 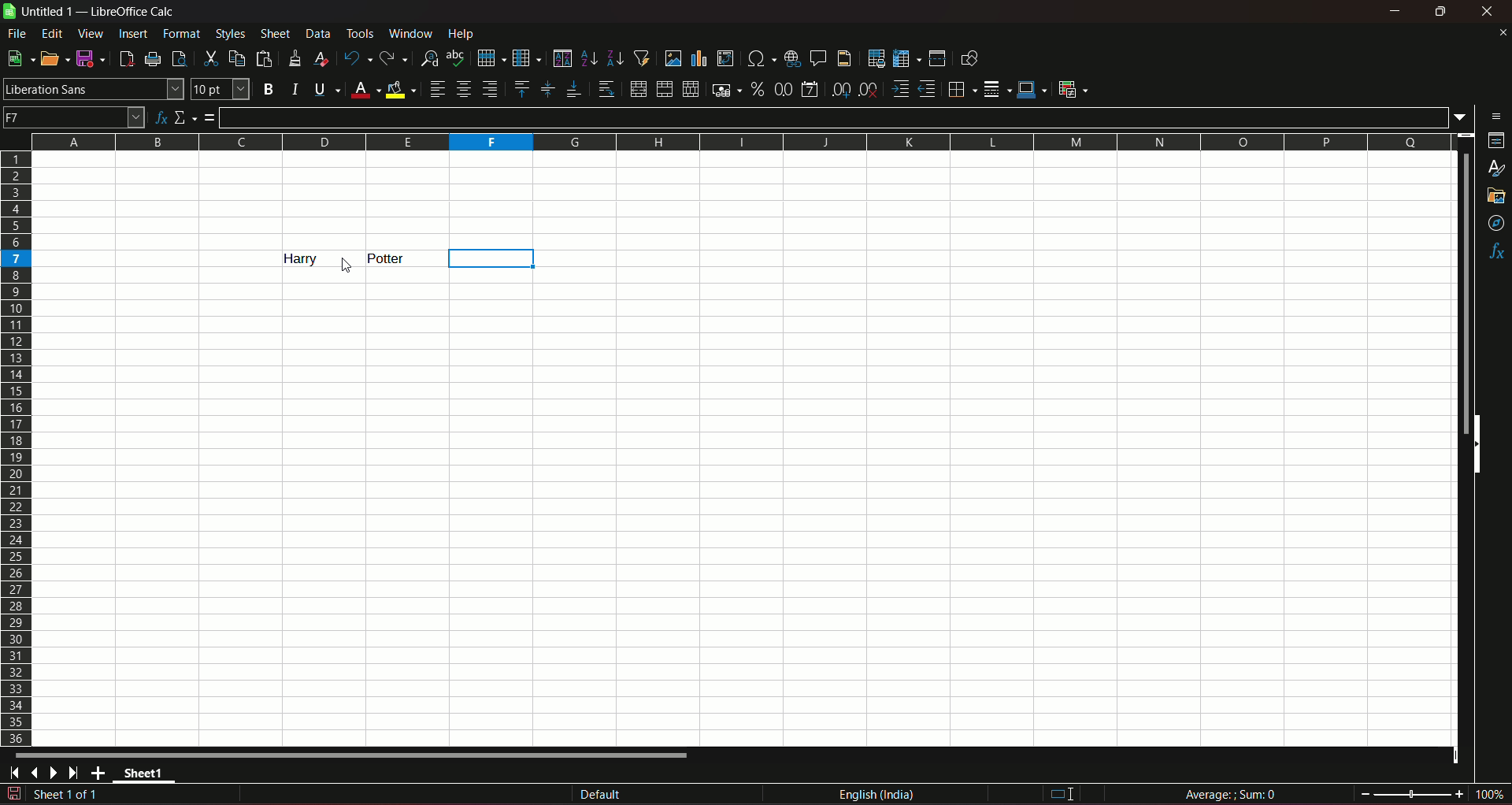 What do you see at coordinates (817, 57) in the screenshot?
I see `insert comment` at bounding box center [817, 57].